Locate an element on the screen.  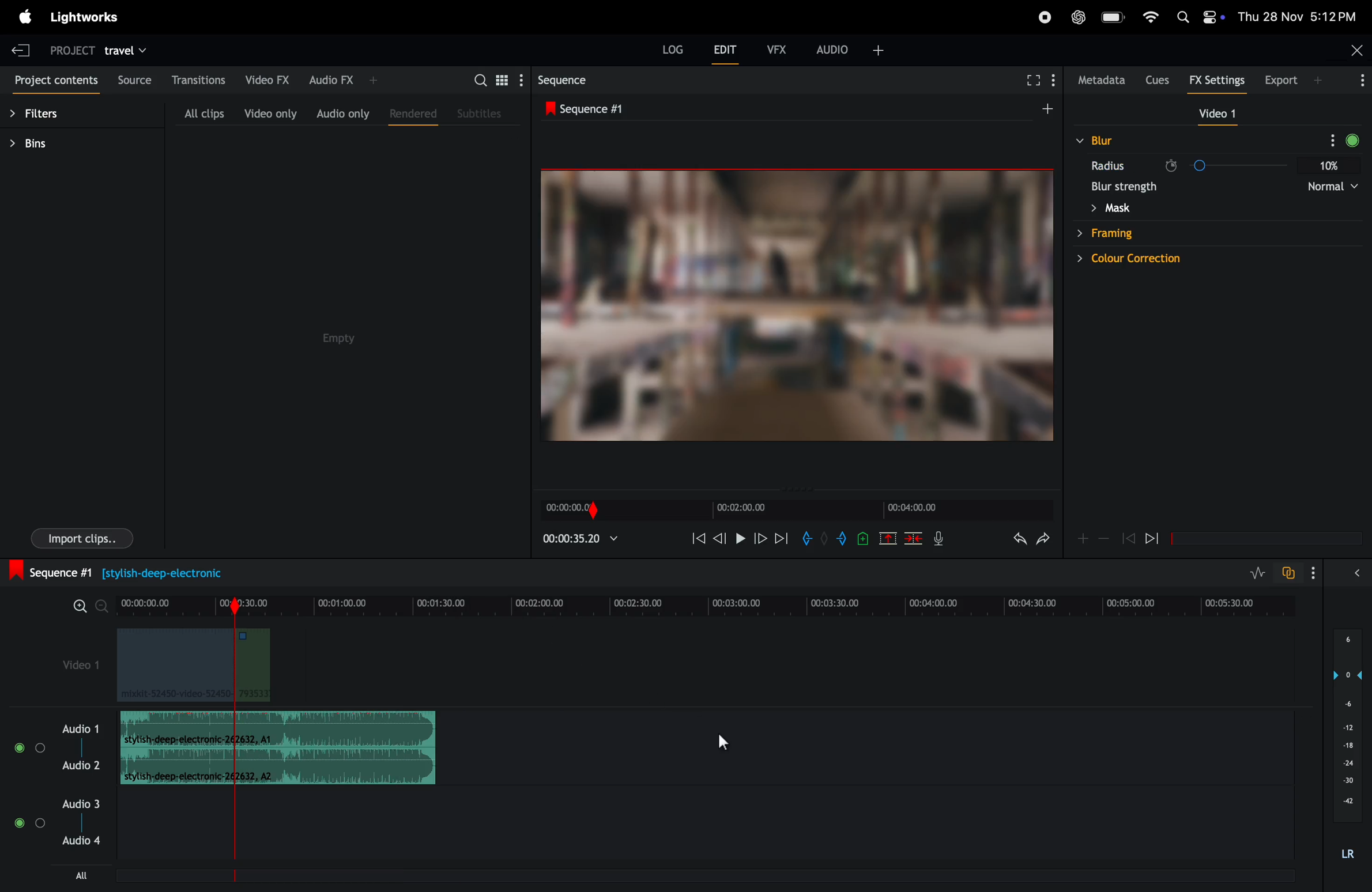
edit is located at coordinates (728, 52).